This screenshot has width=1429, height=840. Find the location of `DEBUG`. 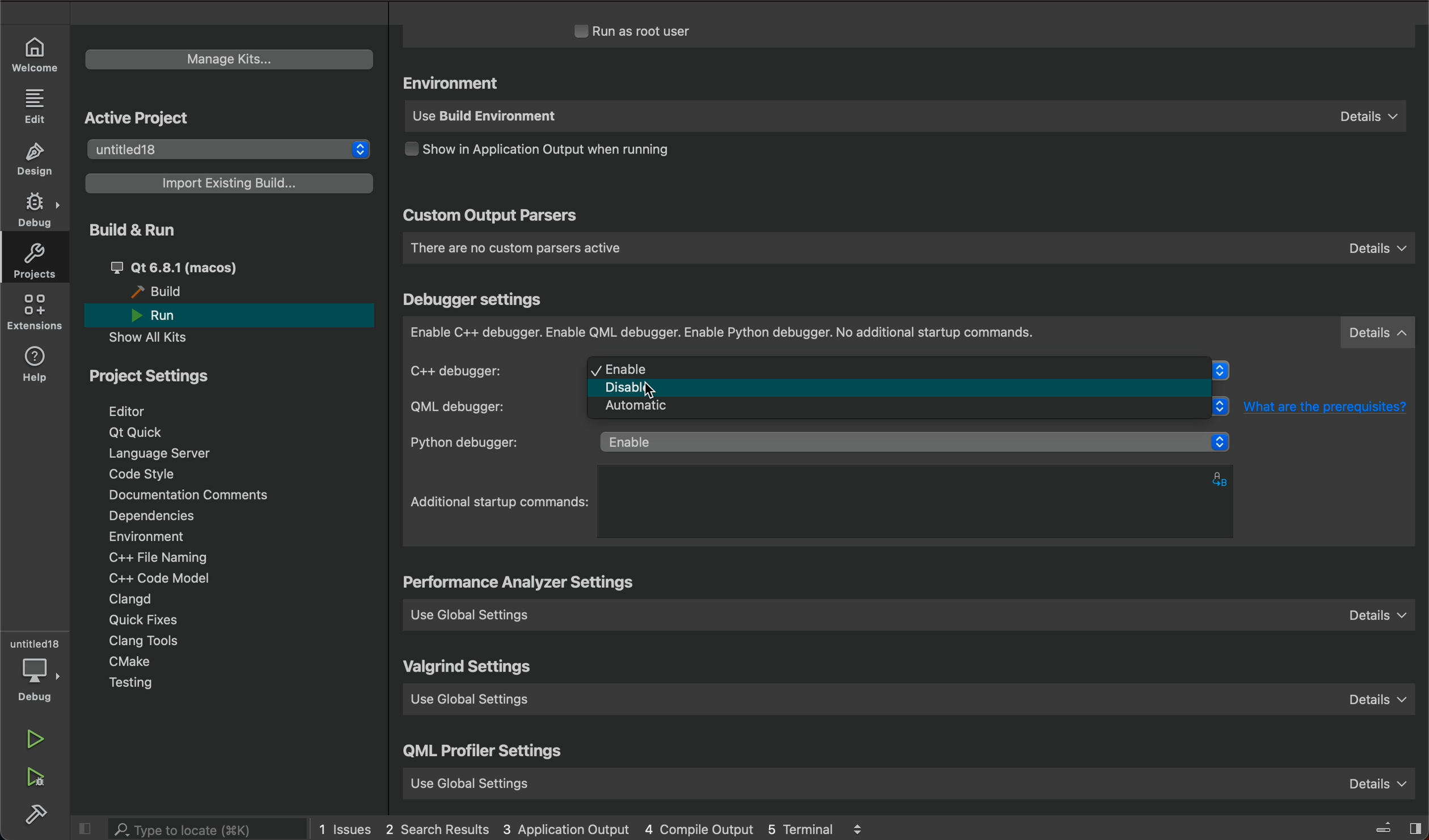

DEBUG is located at coordinates (37, 211).